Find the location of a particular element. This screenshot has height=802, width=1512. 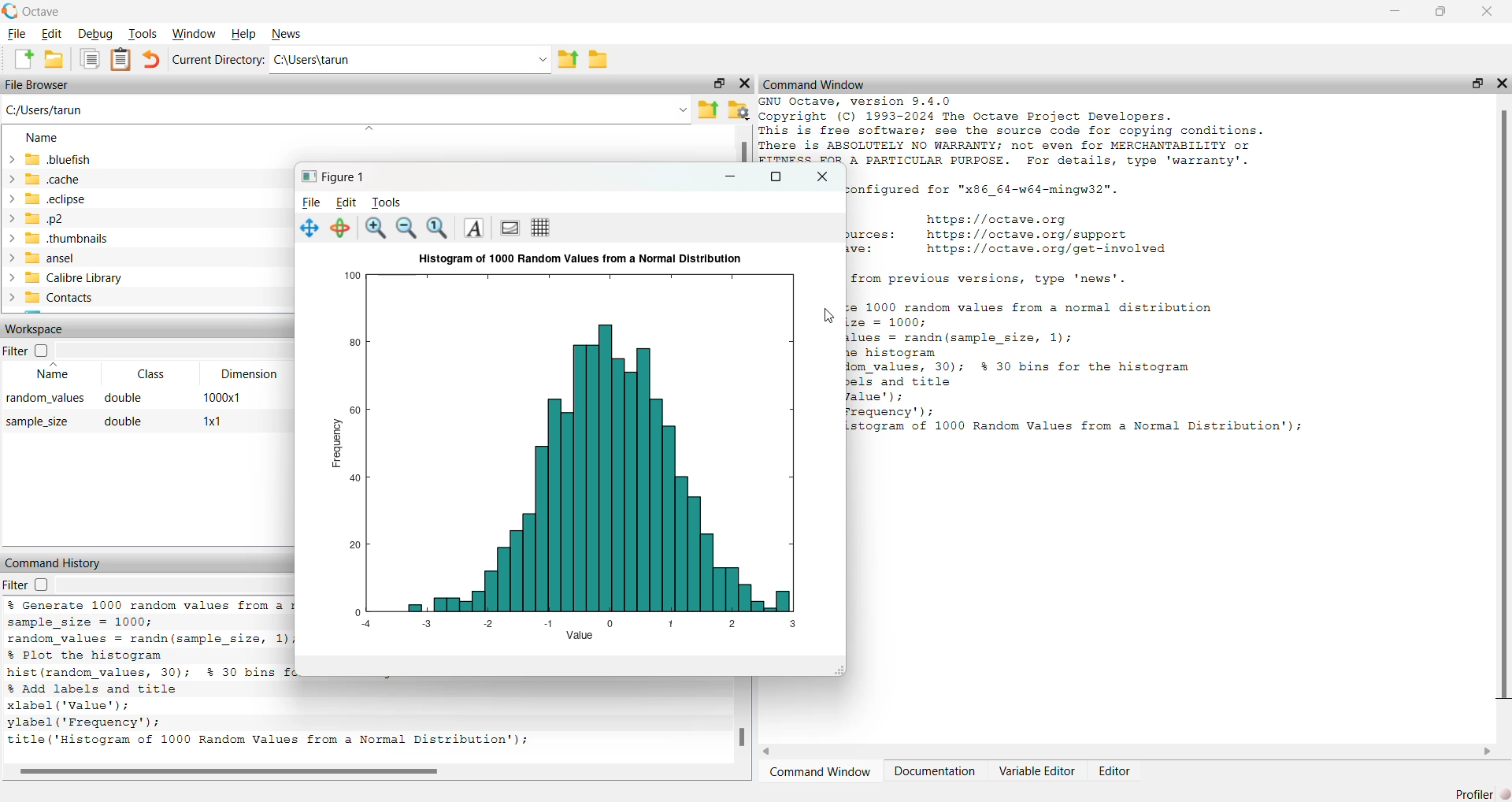

double is located at coordinates (124, 421).